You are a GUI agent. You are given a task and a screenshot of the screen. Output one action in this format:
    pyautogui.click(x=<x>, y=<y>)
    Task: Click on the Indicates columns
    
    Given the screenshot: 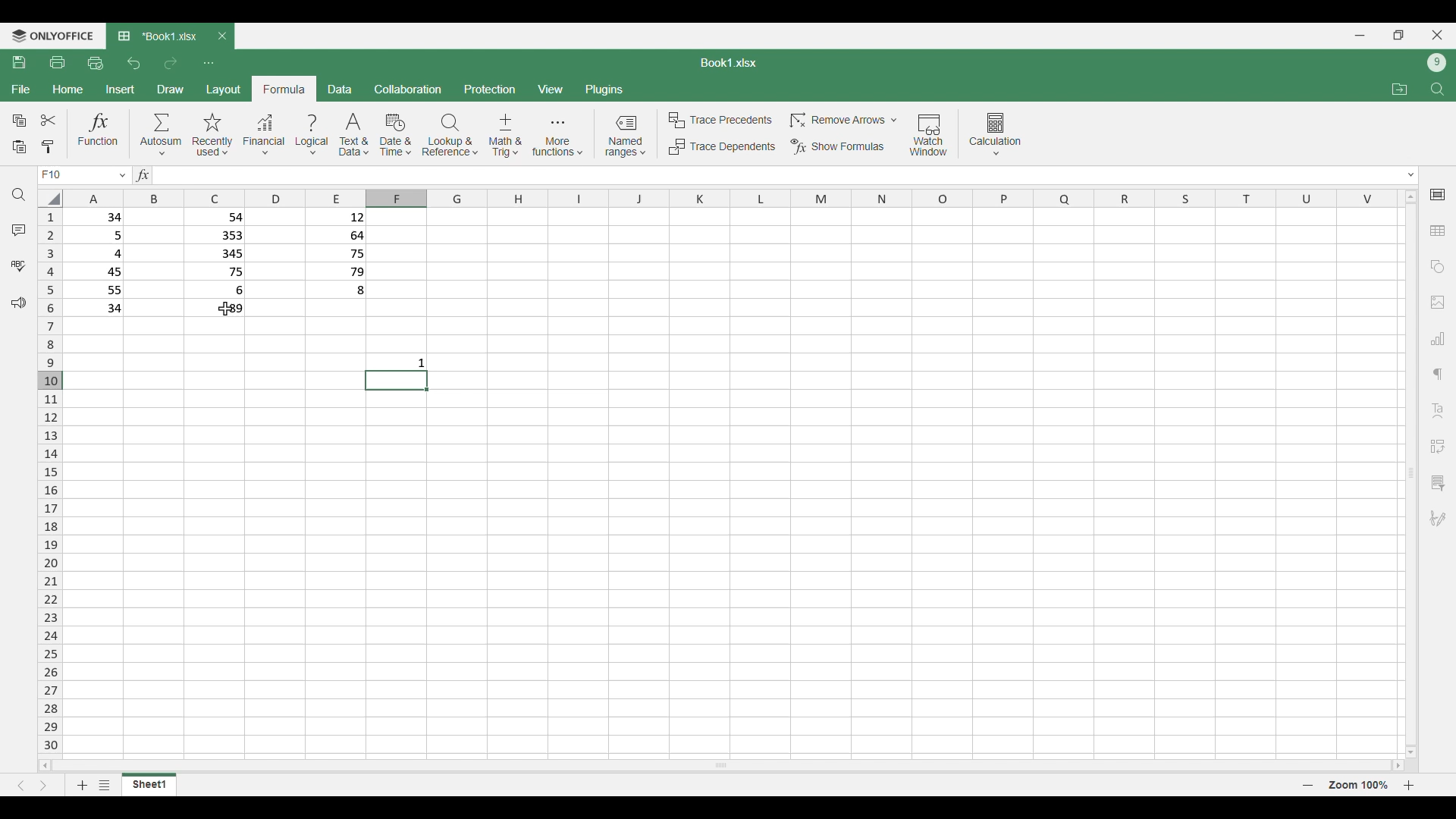 What is the action you would take?
    pyautogui.click(x=726, y=199)
    